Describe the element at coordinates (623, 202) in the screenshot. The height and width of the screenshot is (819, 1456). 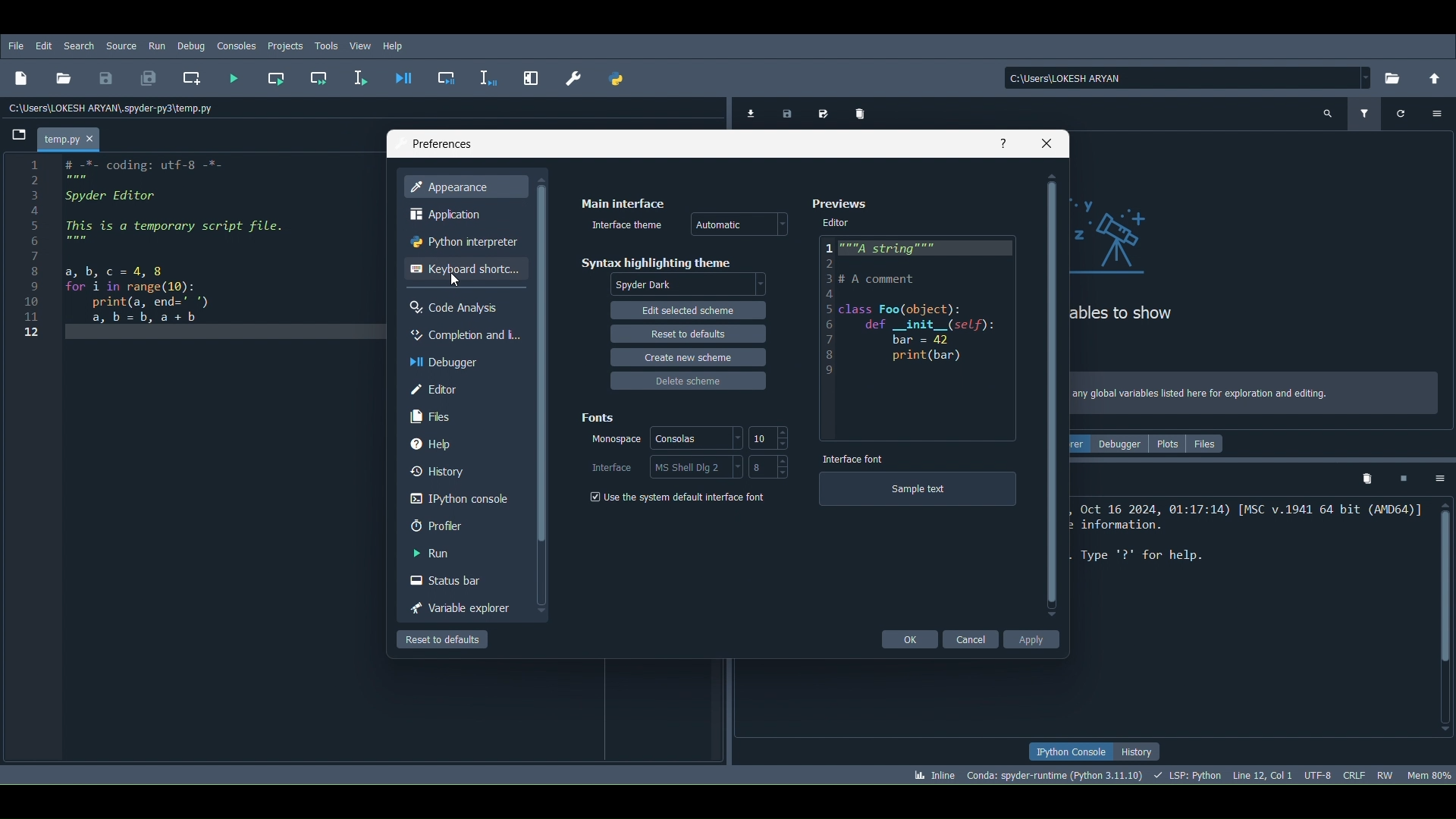
I see `Main interface` at that location.